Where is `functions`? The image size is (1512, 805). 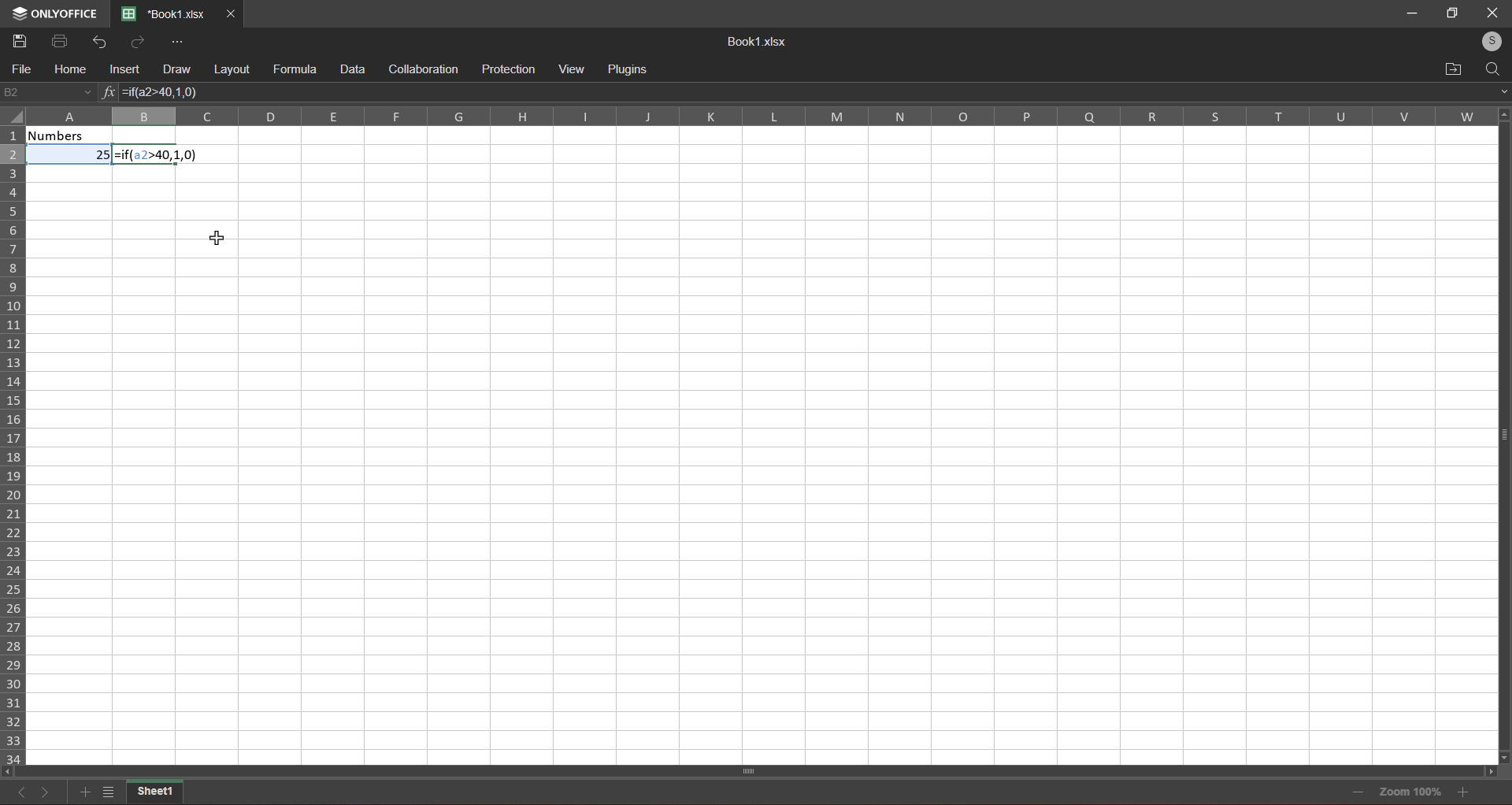
functions is located at coordinates (107, 93).